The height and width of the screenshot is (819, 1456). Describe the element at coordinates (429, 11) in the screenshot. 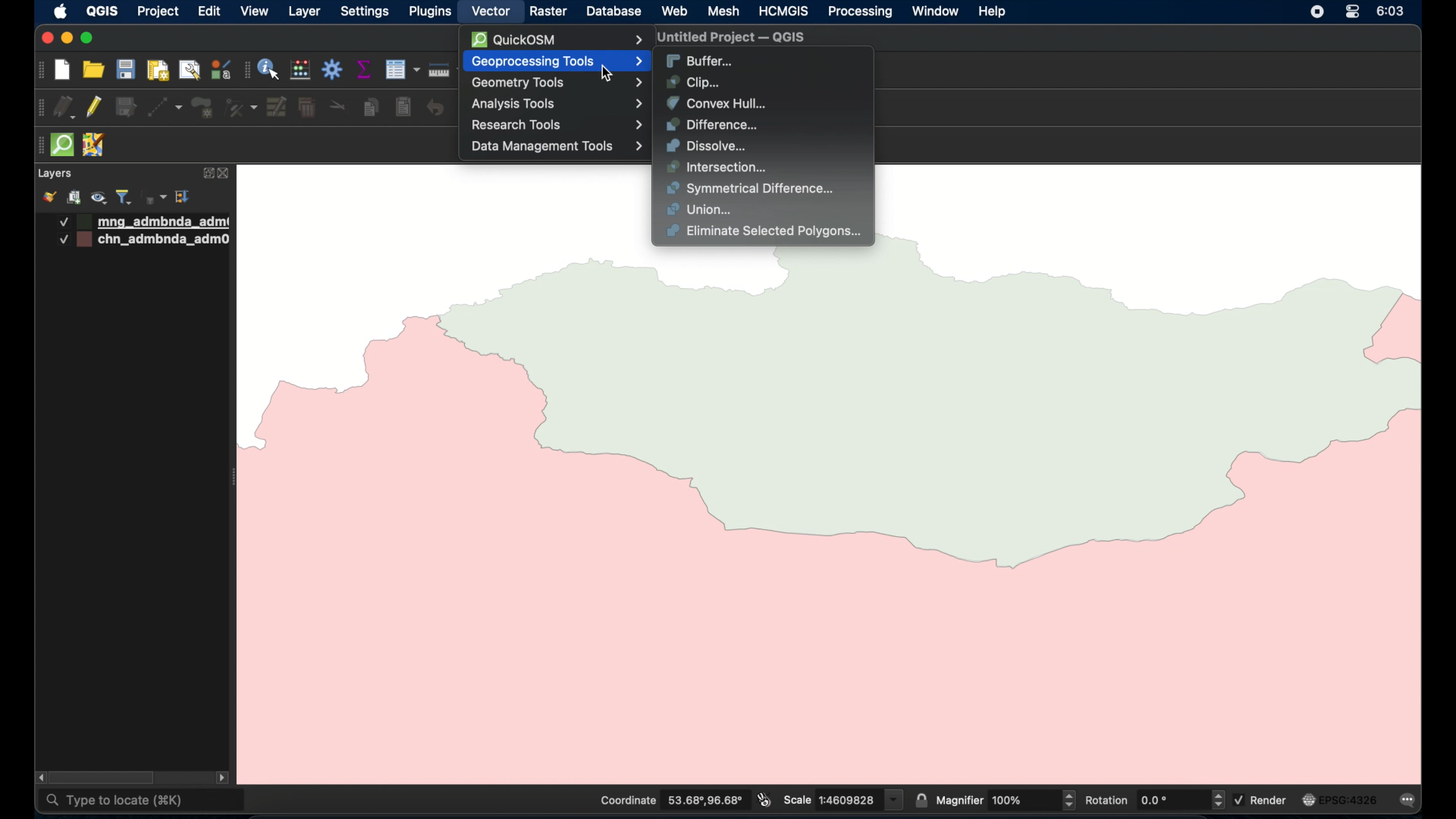

I see `plugins` at that location.